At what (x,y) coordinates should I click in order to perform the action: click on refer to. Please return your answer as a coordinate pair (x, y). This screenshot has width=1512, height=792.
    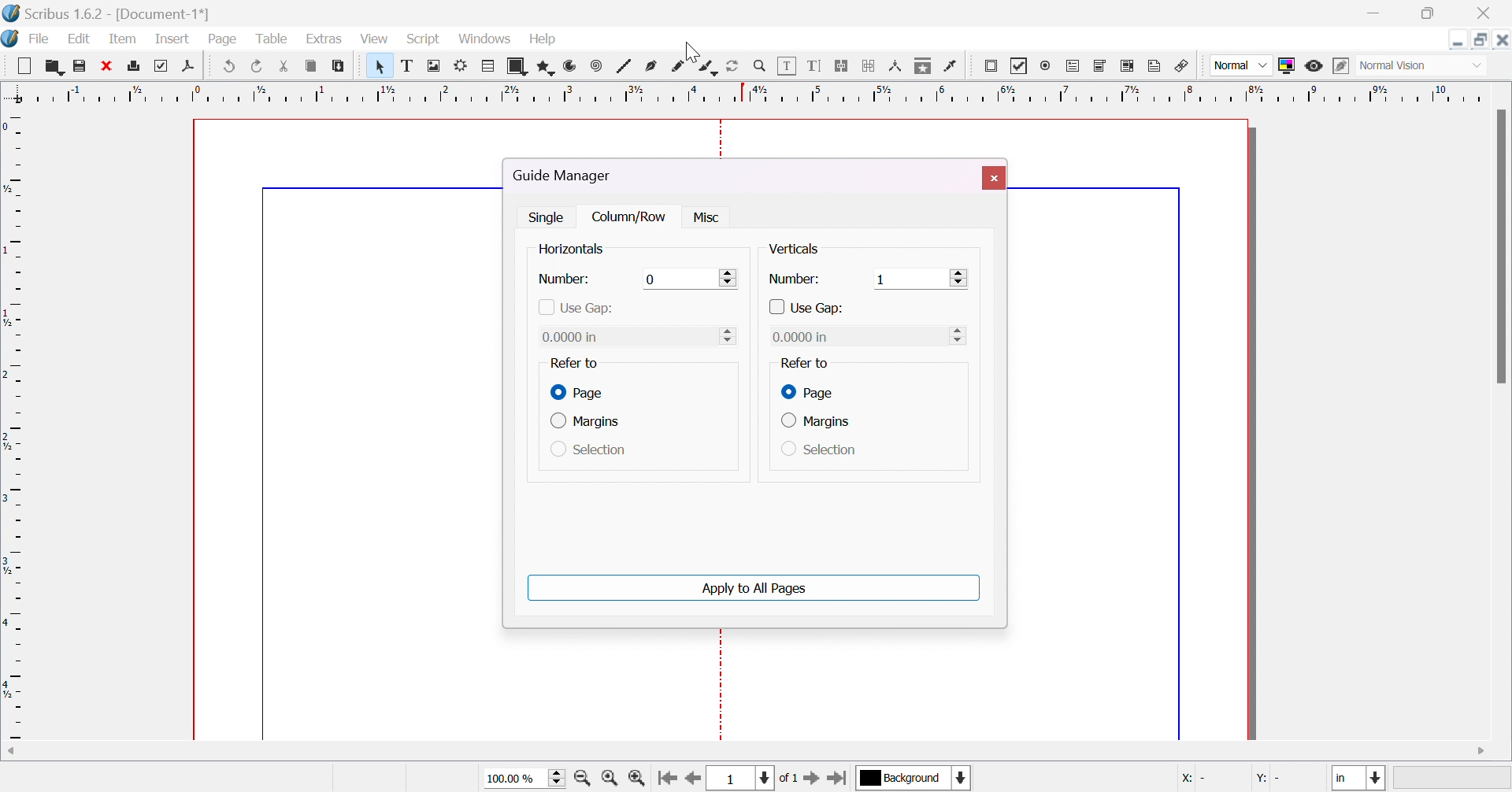
    Looking at the image, I should click on (573, 363).